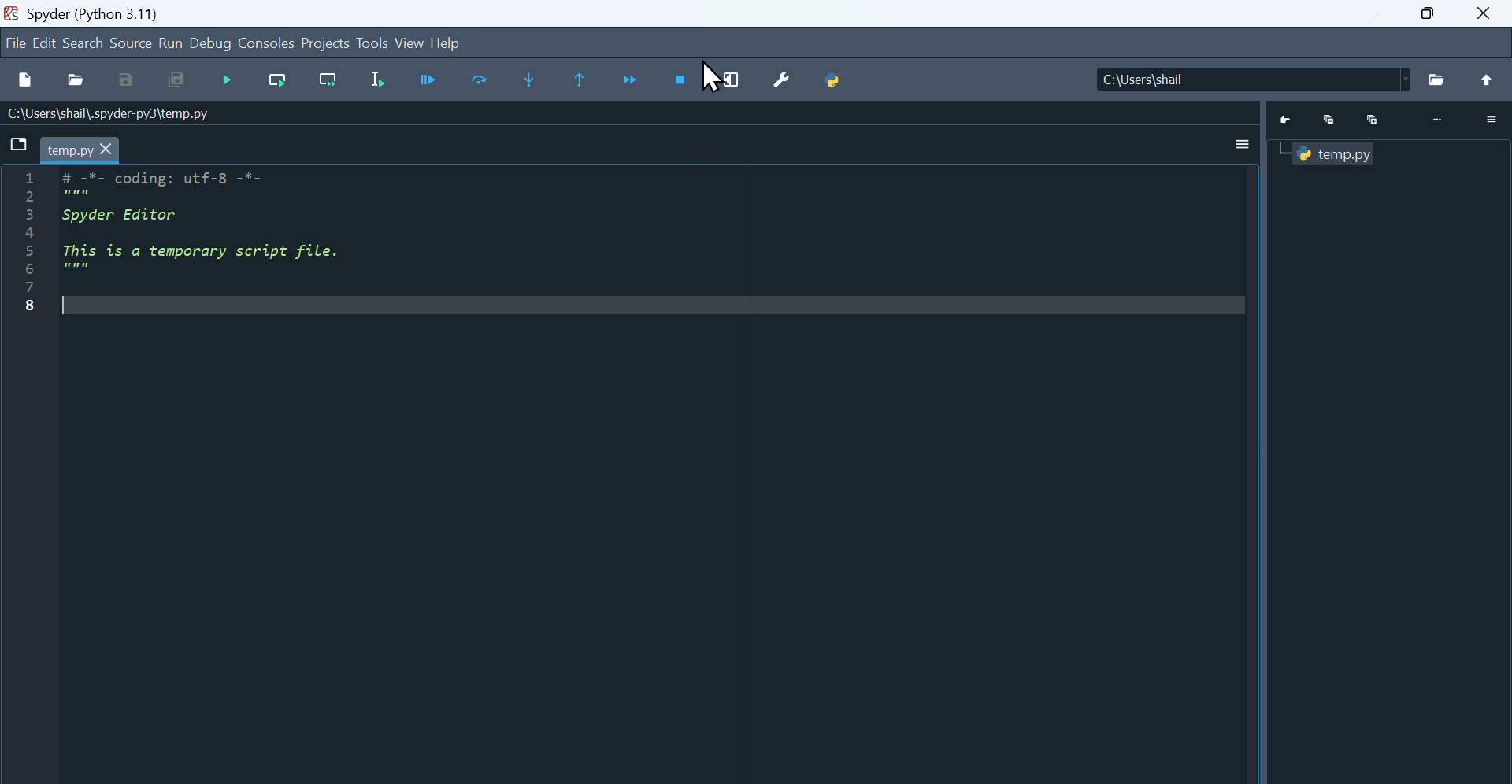  What do you see at coordinates (326, 42) in the screenshot?
I see `Project` at bounding box center [326, 42].